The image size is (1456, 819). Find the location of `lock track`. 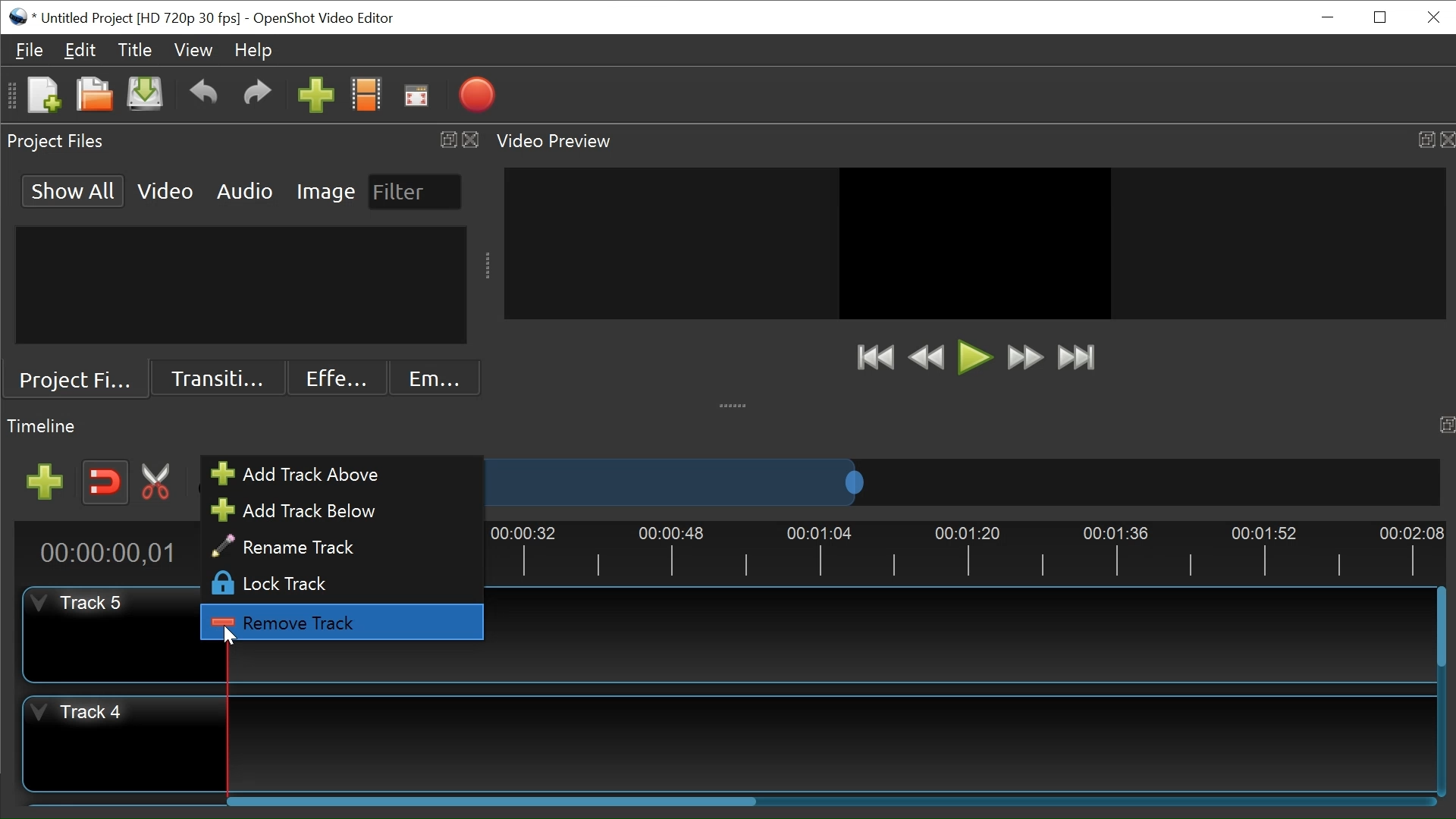

lock track is located at coordinates (338, 585).